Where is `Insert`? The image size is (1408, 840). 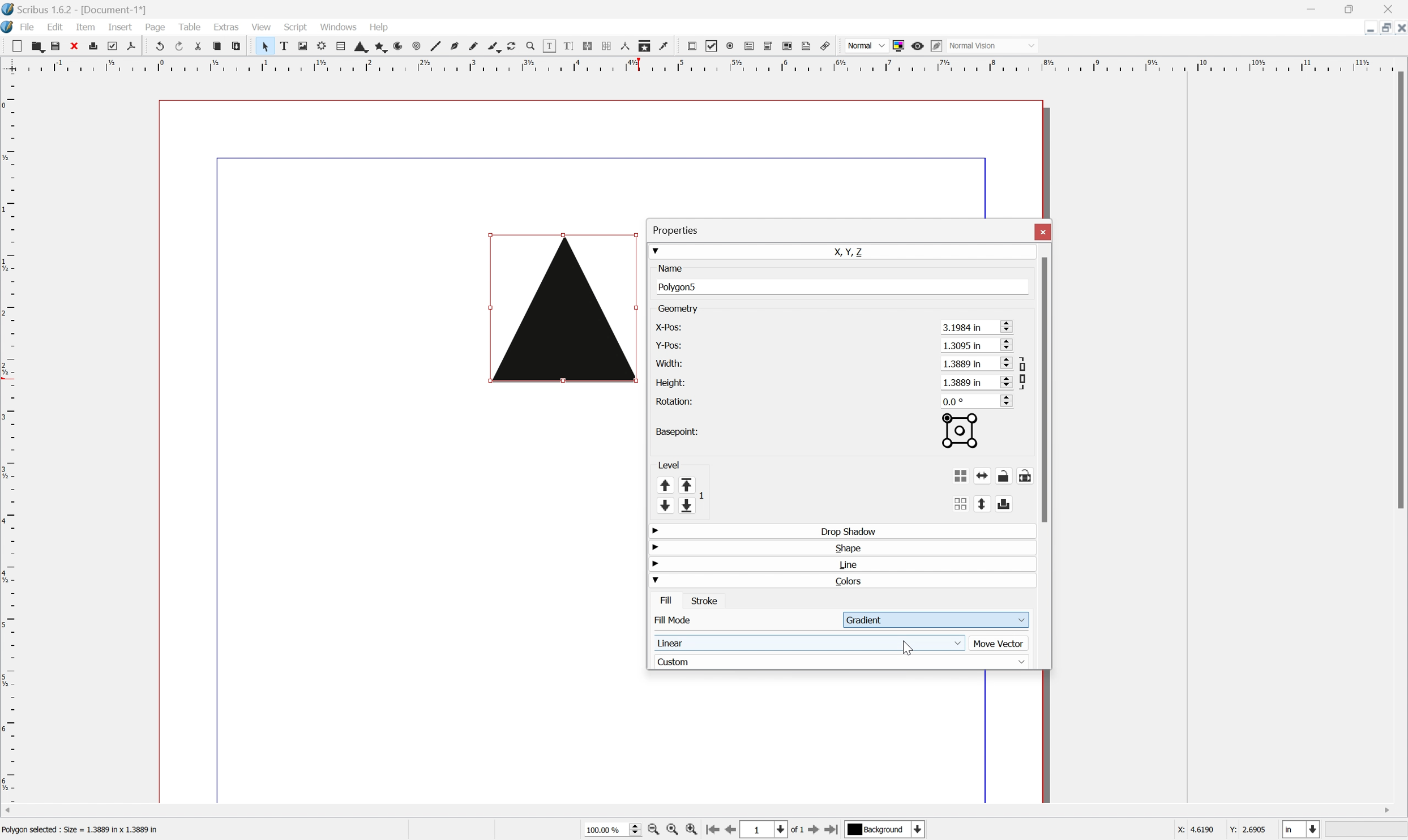 Insert is located at coordinates (121, 27).